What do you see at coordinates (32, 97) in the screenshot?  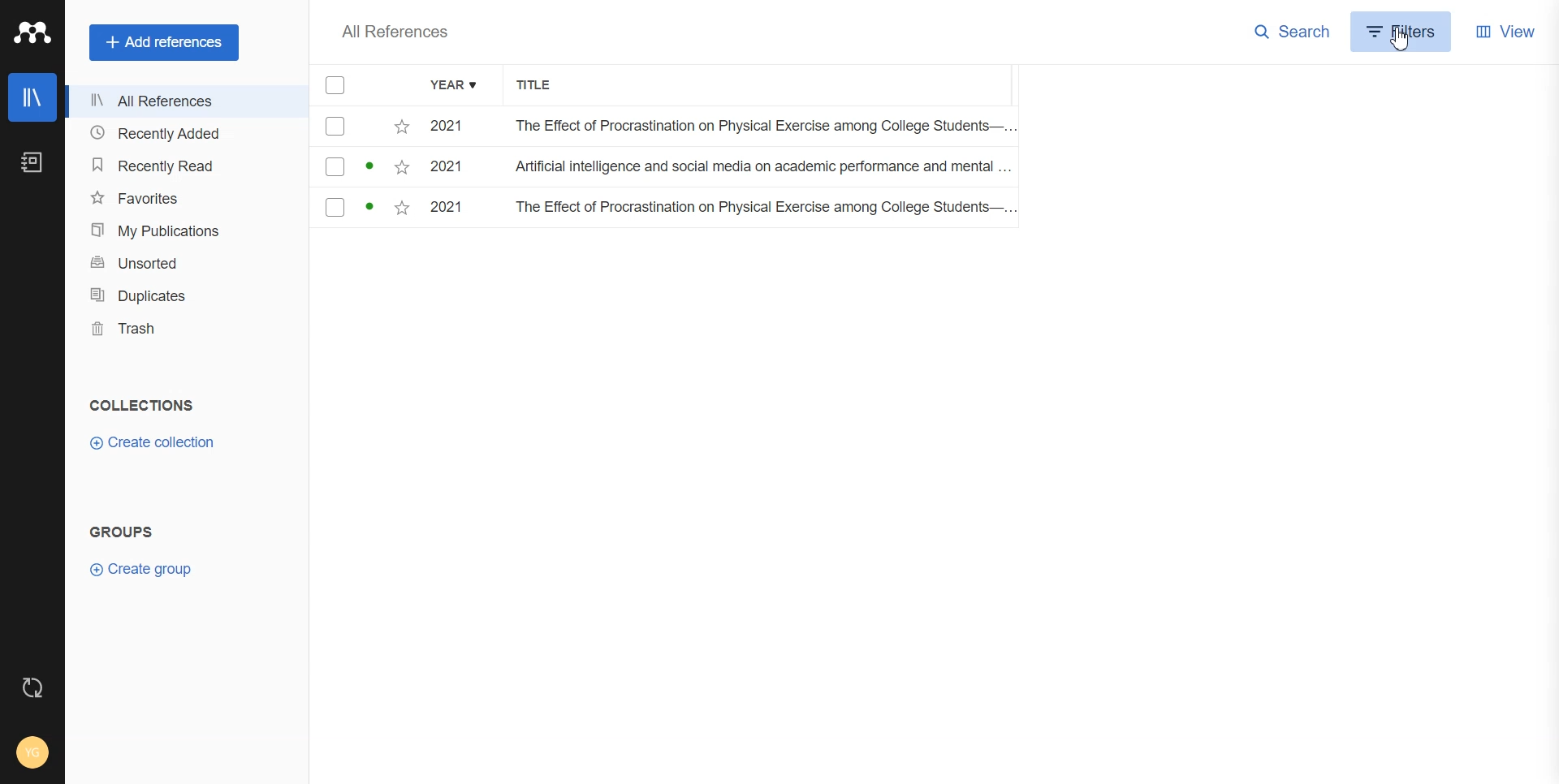 I see `Library` at bounding box center [32, 97].